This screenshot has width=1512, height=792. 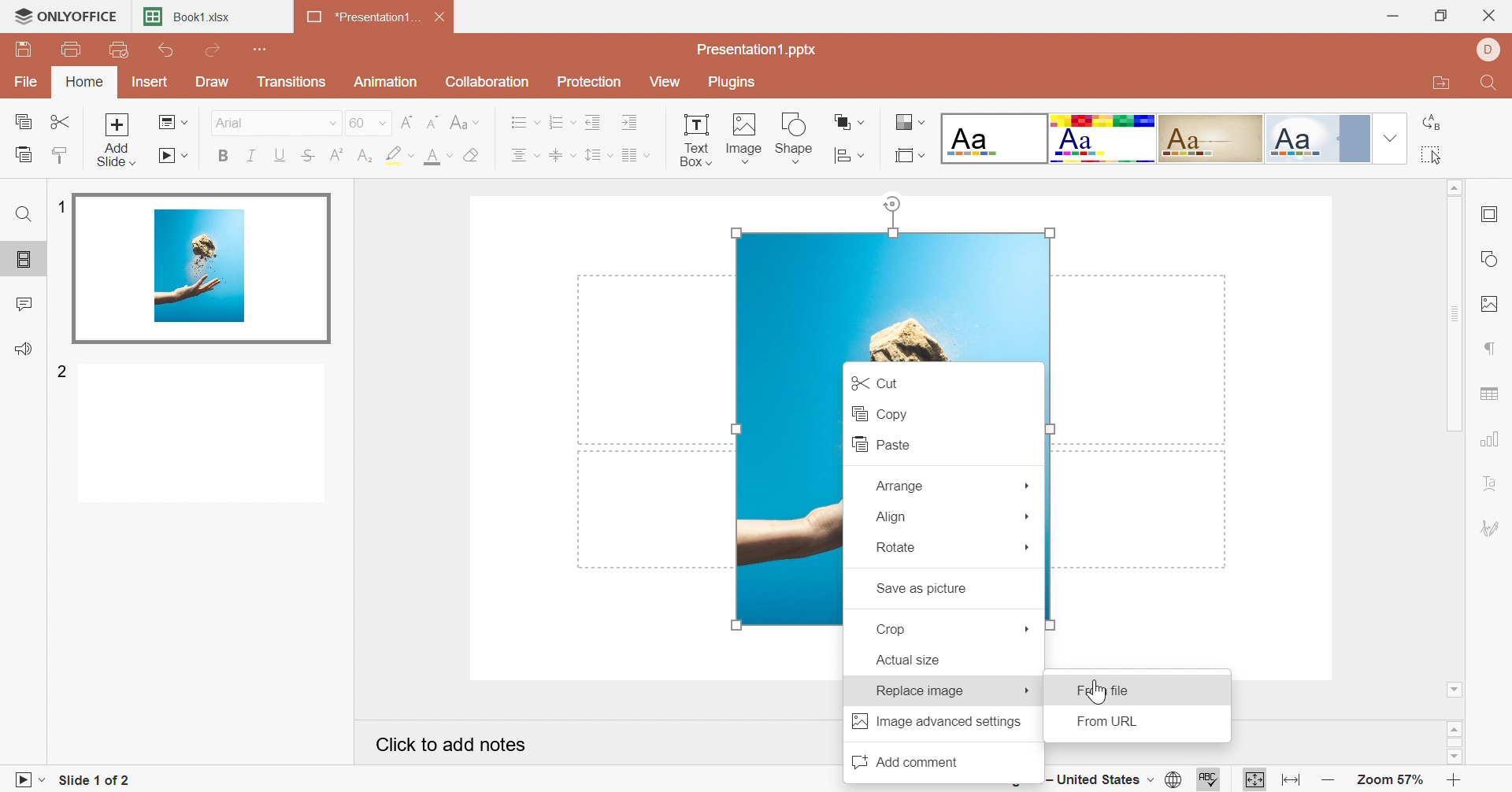 What do you see at coordinates (562, 153) in the screenshot?
I see `Vertical align` at bounding box center [562, 153].